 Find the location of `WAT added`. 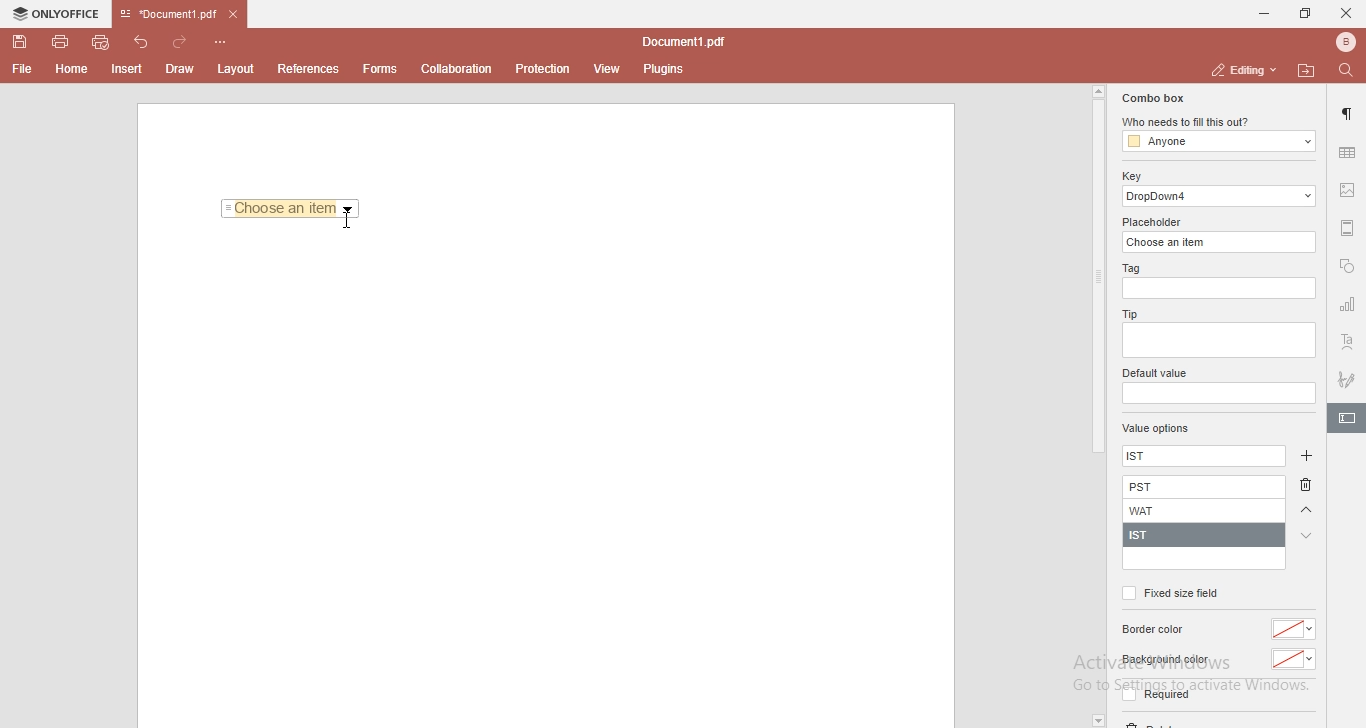

WAT added is located at coordinates (1205, 511).